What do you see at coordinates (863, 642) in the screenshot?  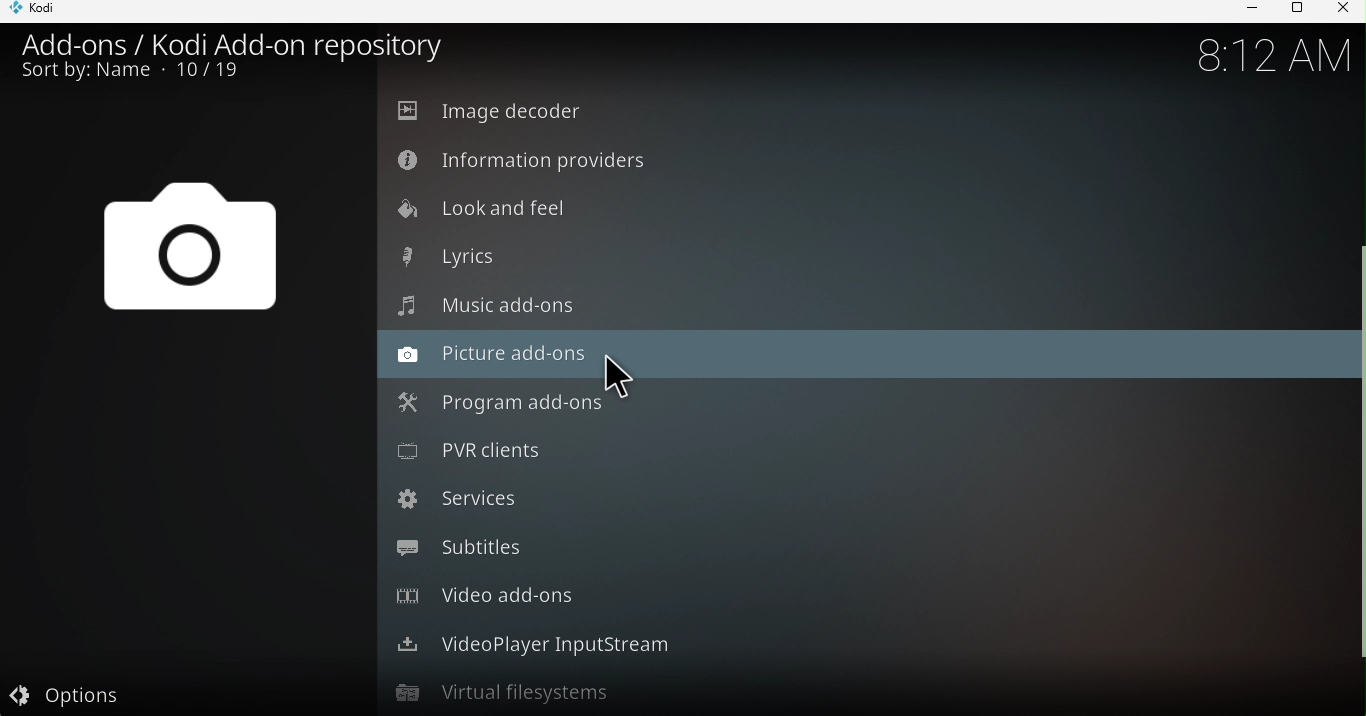 I see `VideoPlayer InputStream` at bounding box center [863, 642].